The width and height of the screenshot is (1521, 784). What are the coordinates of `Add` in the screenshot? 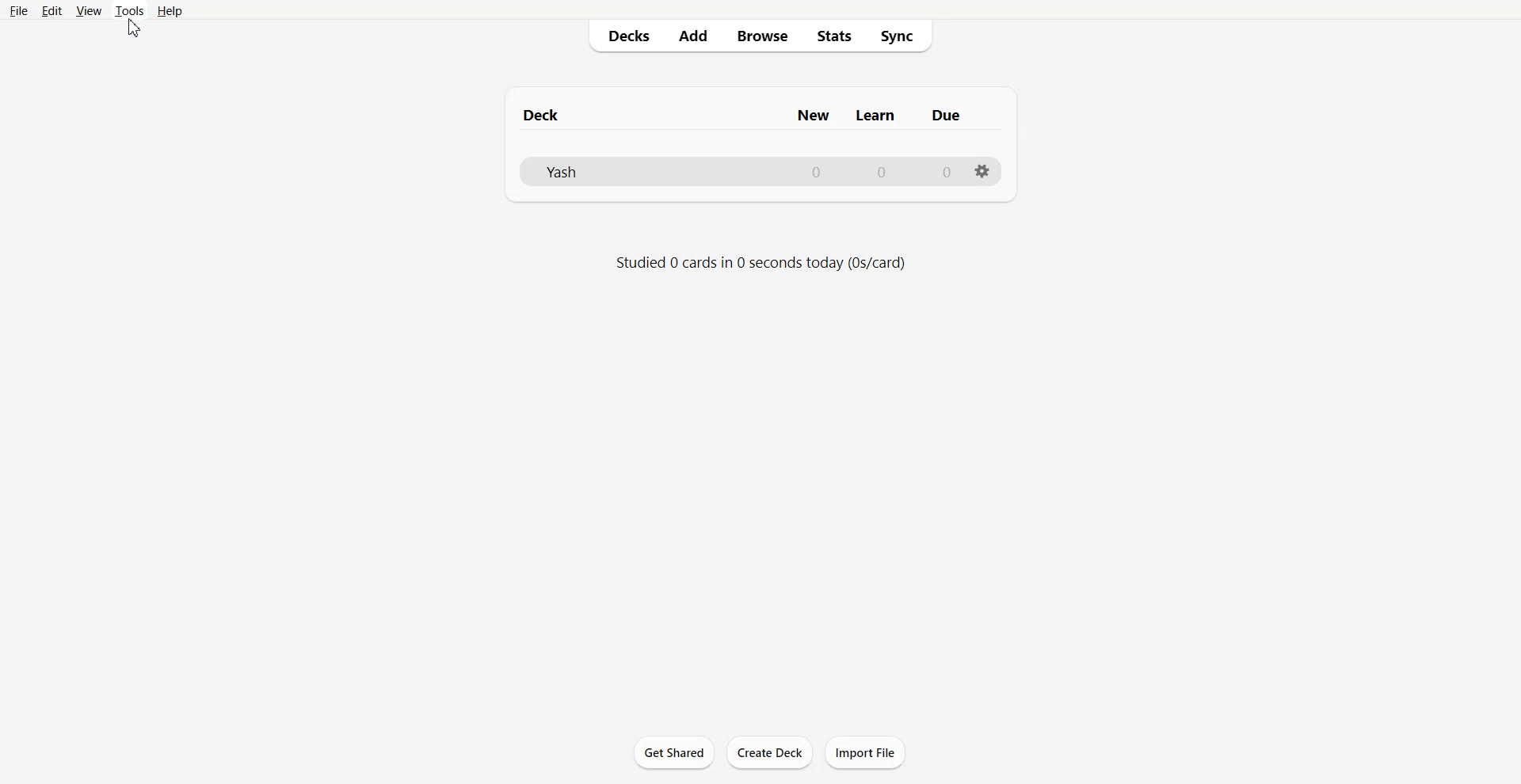 It's located at (692, 36).